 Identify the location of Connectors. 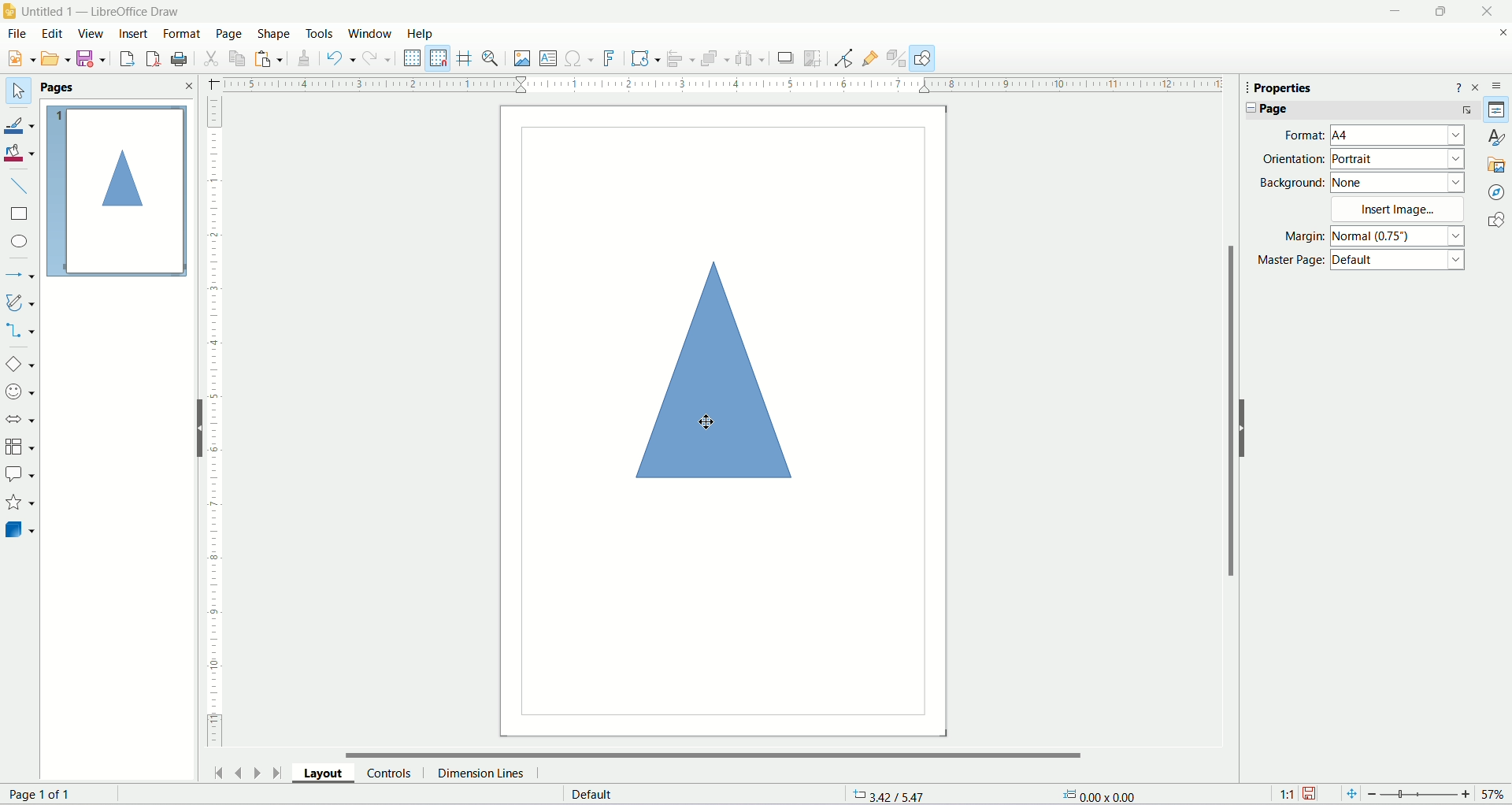
(20, 332).